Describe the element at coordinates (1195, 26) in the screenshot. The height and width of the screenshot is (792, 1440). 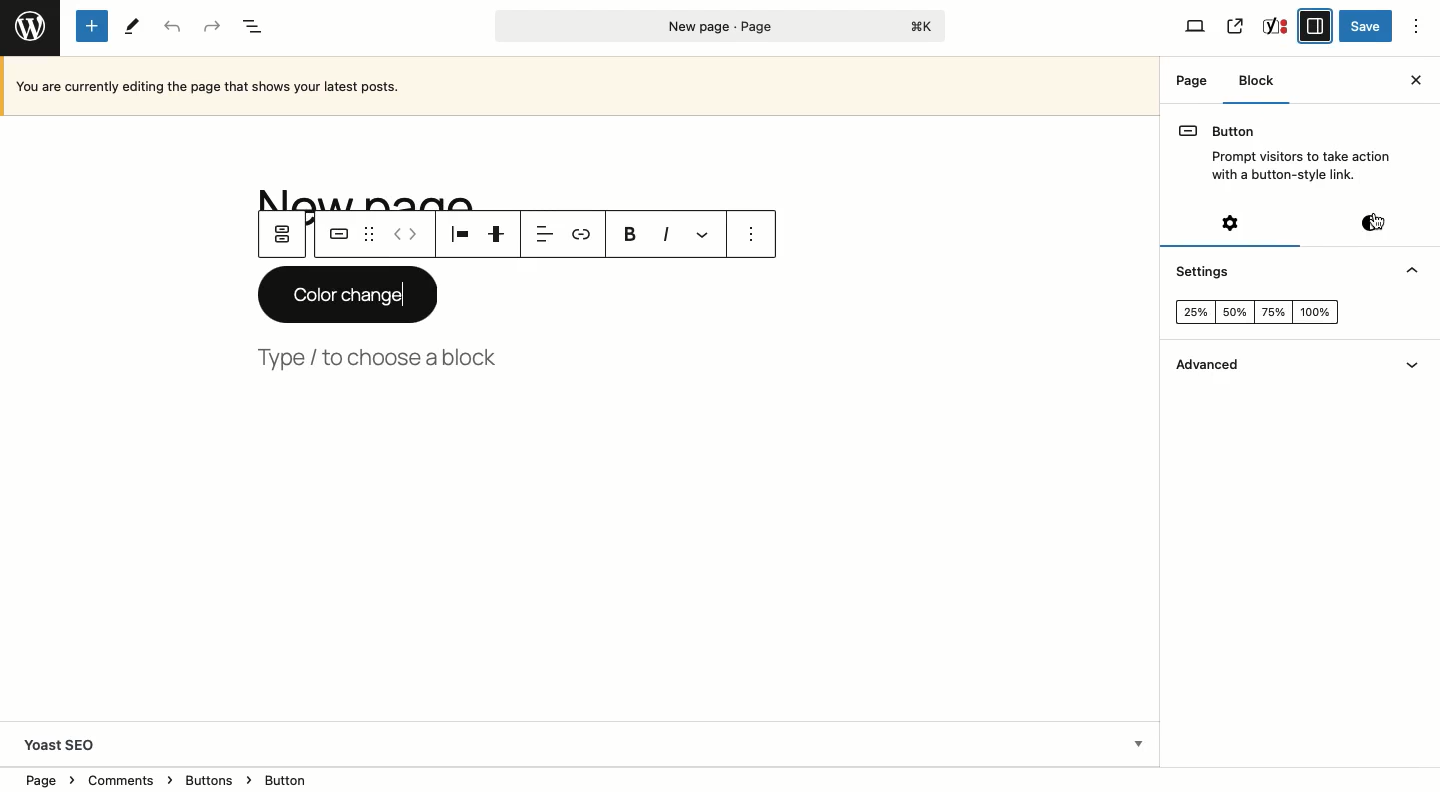
I see `View` at that location.